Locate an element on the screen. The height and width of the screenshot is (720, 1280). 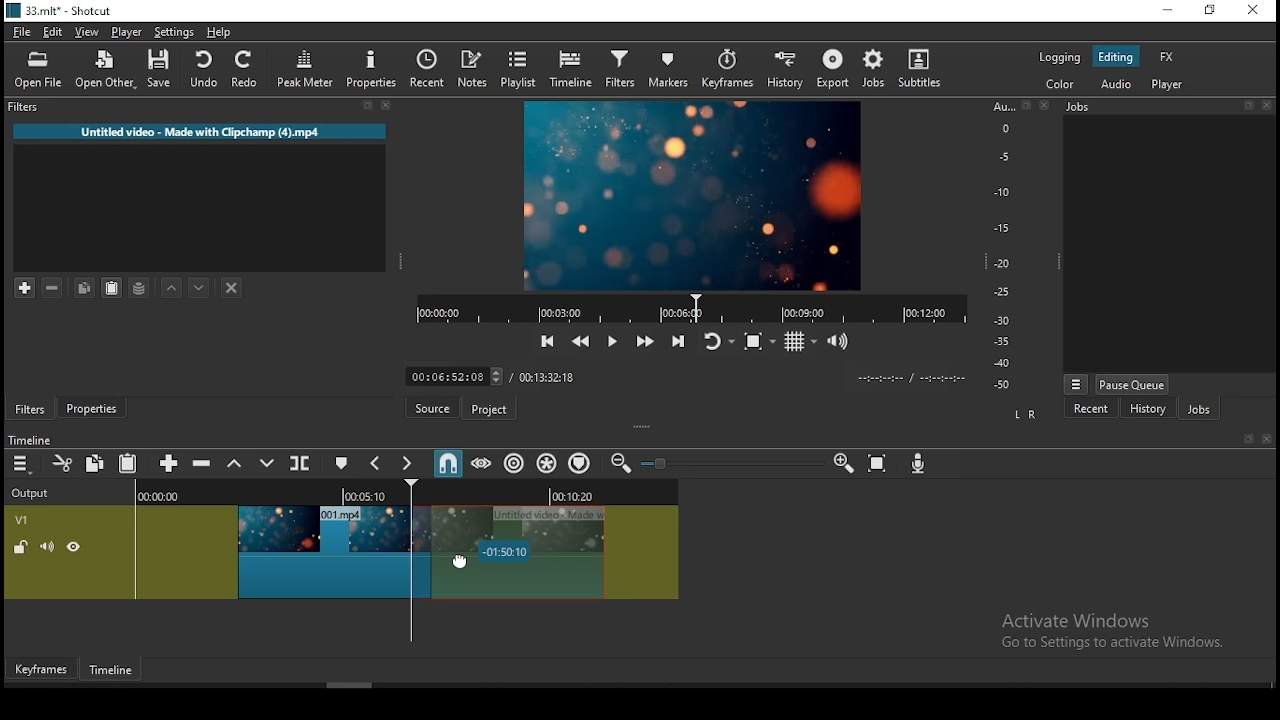
previous marker is located at coordinates (380, 465).